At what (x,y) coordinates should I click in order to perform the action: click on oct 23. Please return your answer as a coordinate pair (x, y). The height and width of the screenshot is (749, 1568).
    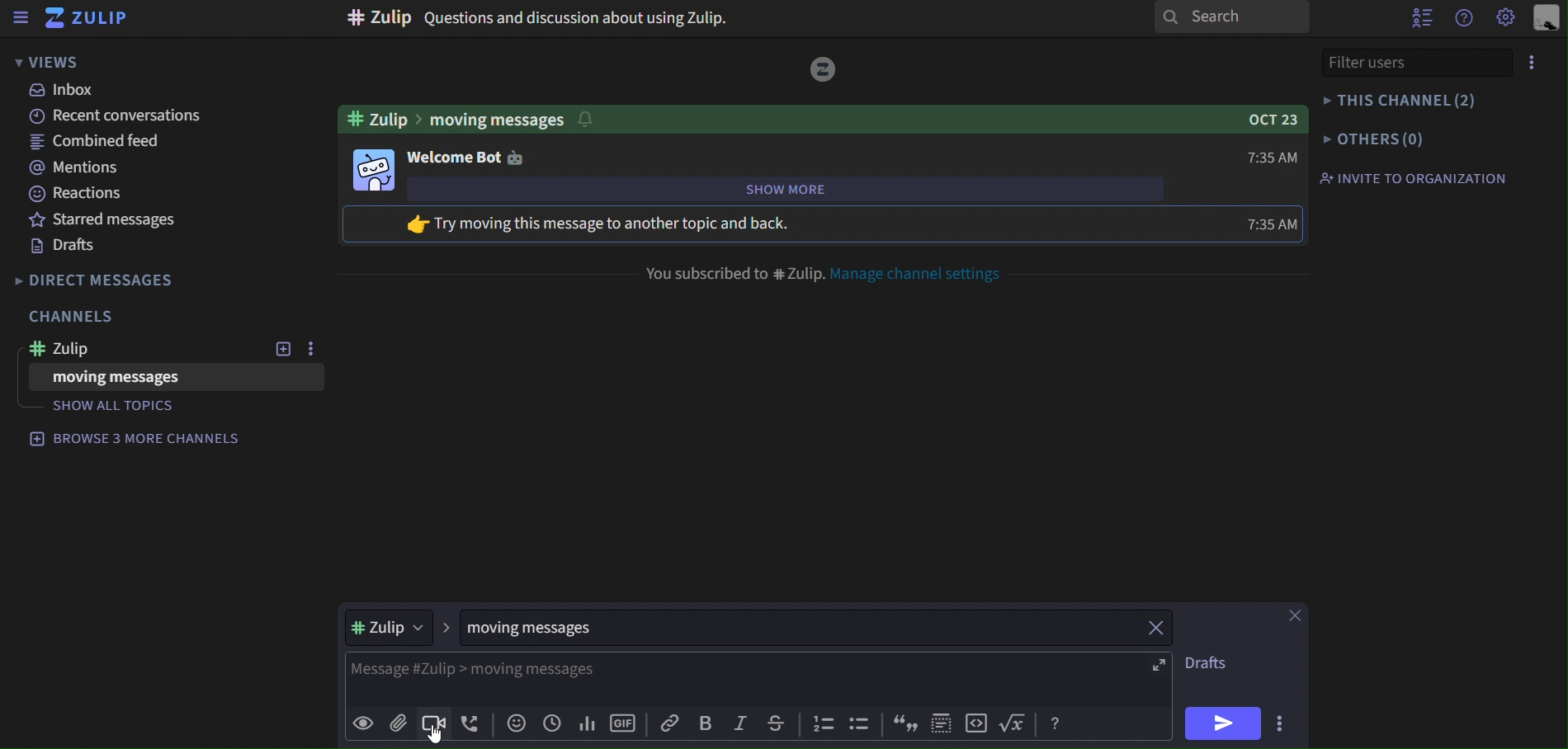
    Looking at the image, I should click on (1267, 118).